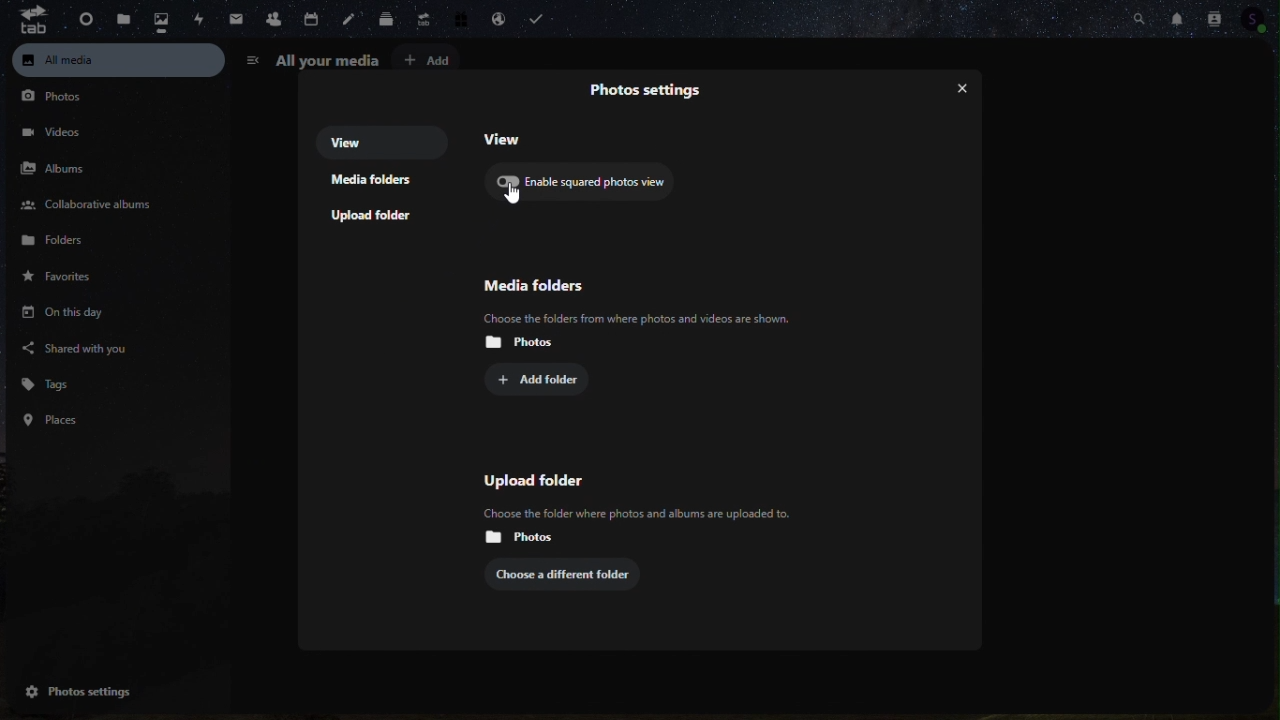 The height and width of the screenshot is (720, 1280). Describe the element at coordinates (56, 131) in the screenshot. I see `videos` at that location.